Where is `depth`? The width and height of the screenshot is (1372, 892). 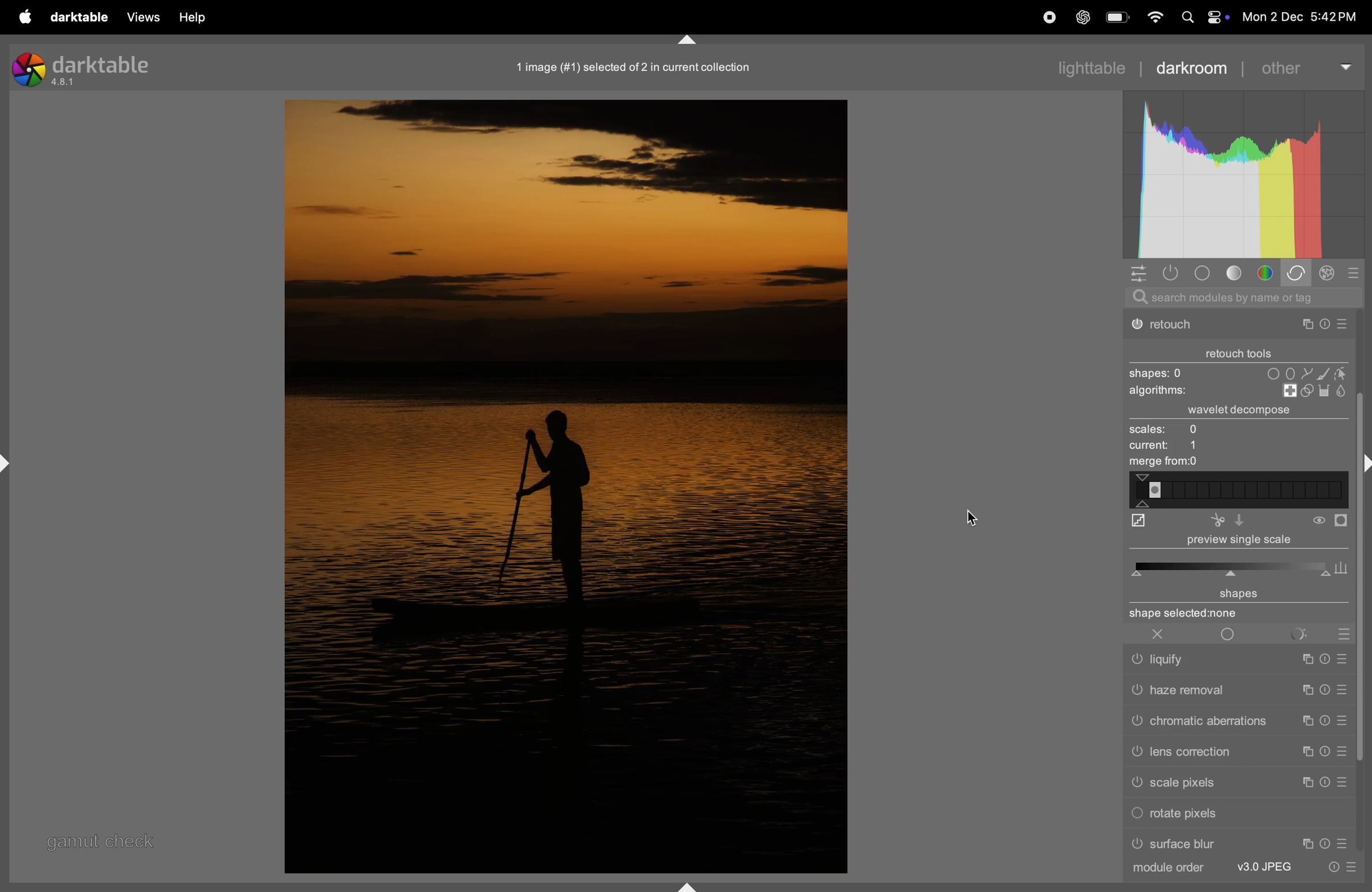
depth is located at coordinates (1138, 523).